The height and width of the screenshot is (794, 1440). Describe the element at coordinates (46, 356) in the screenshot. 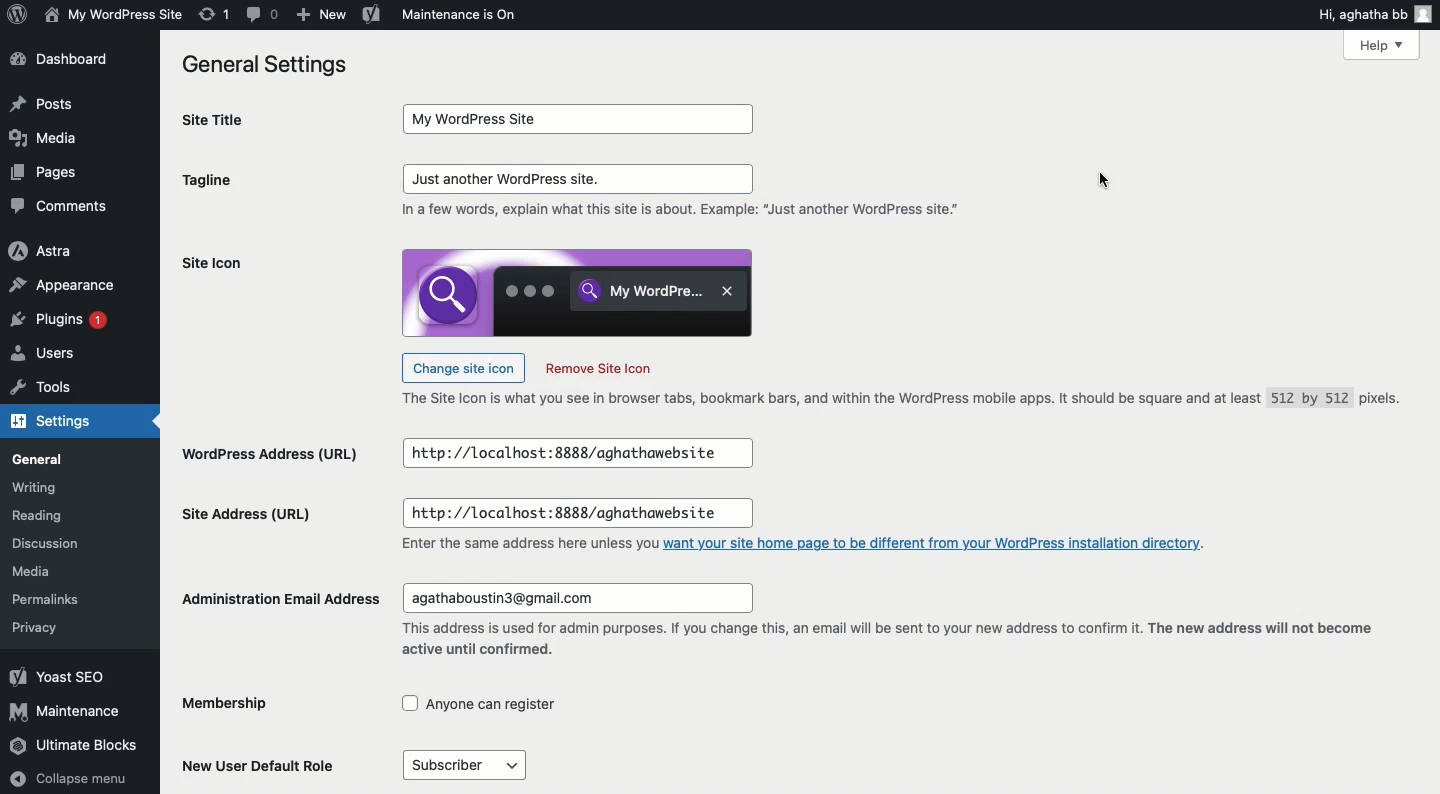

I see `Users` at that location.